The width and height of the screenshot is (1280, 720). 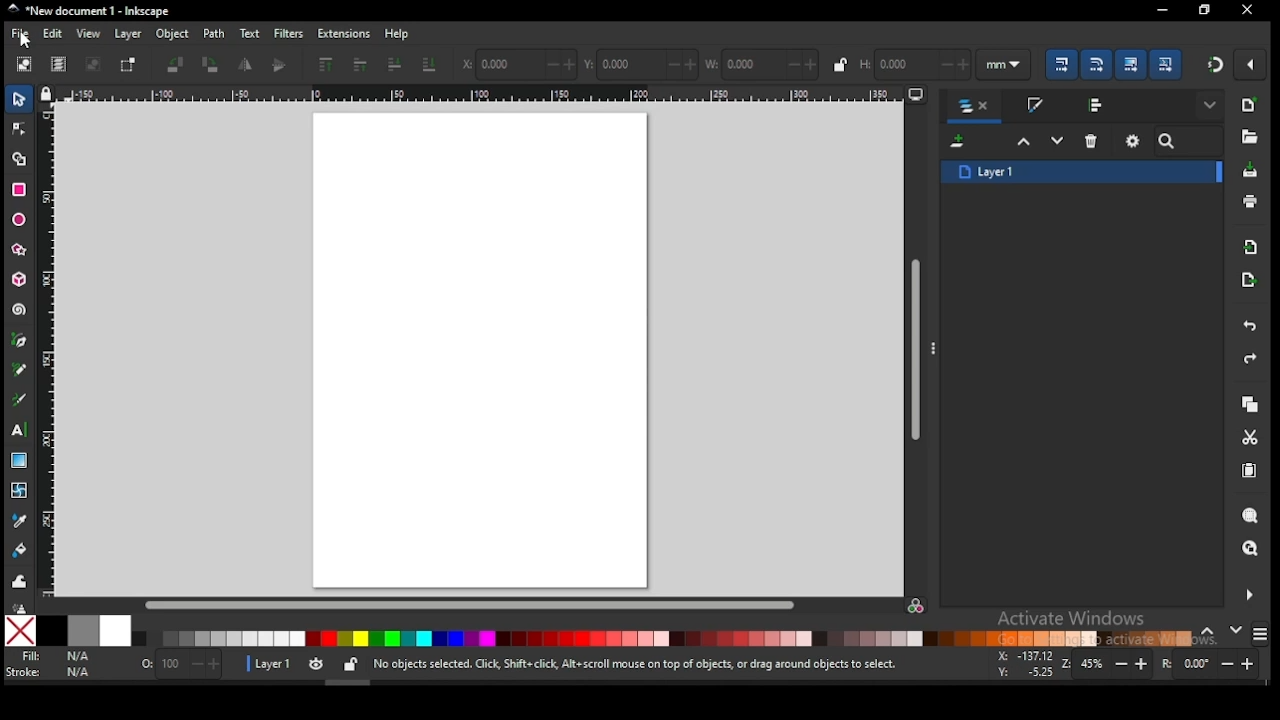 I want to click on lock, so click(x=840, y=64).